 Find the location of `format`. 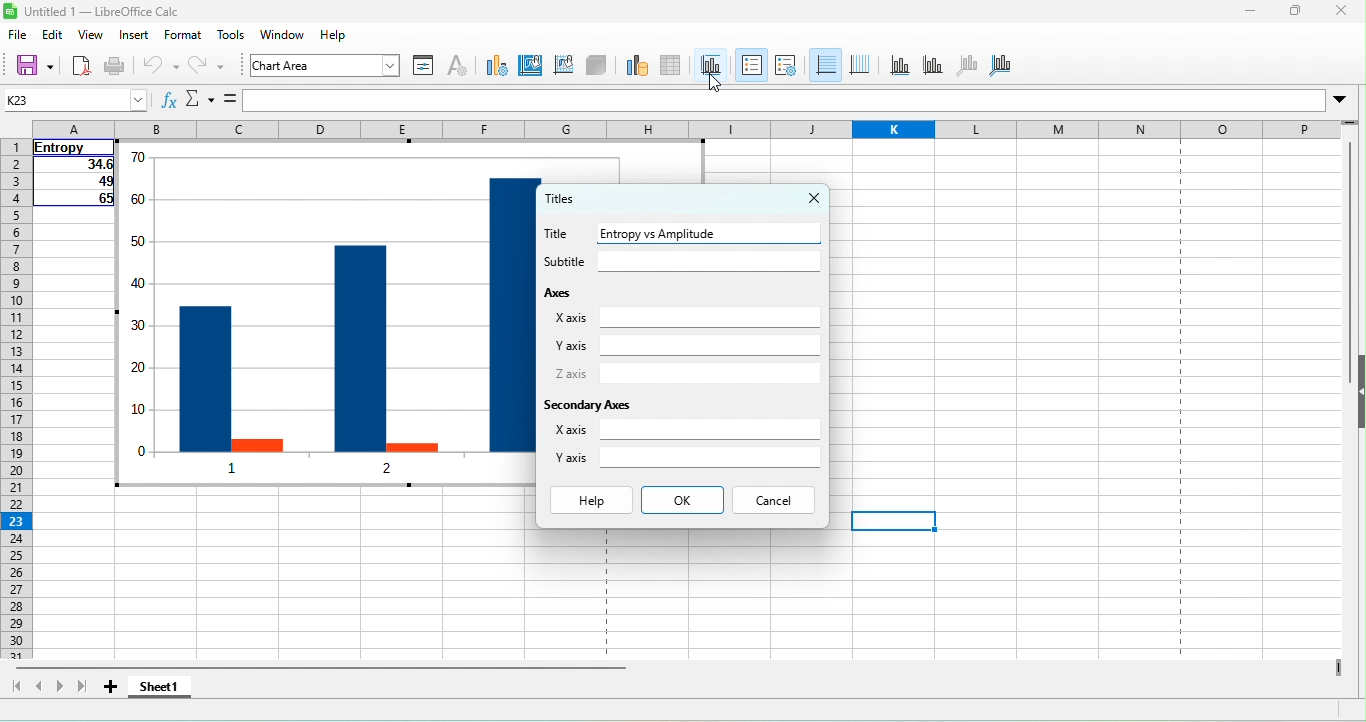

format is located at coordinates (187, 39).